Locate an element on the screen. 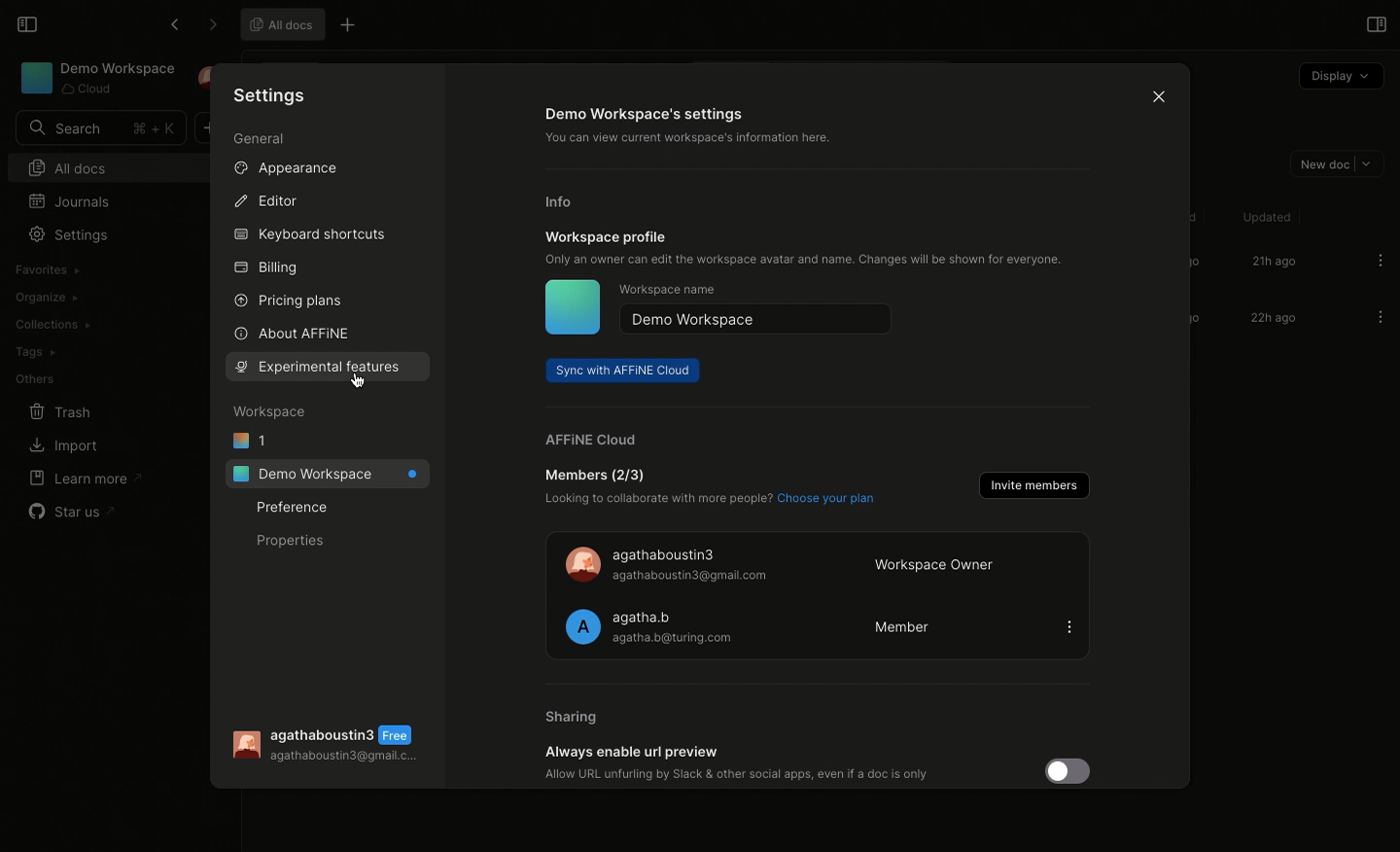 This screenshot has height=852, width=1400. Options is located at coordinates (1380, 318).